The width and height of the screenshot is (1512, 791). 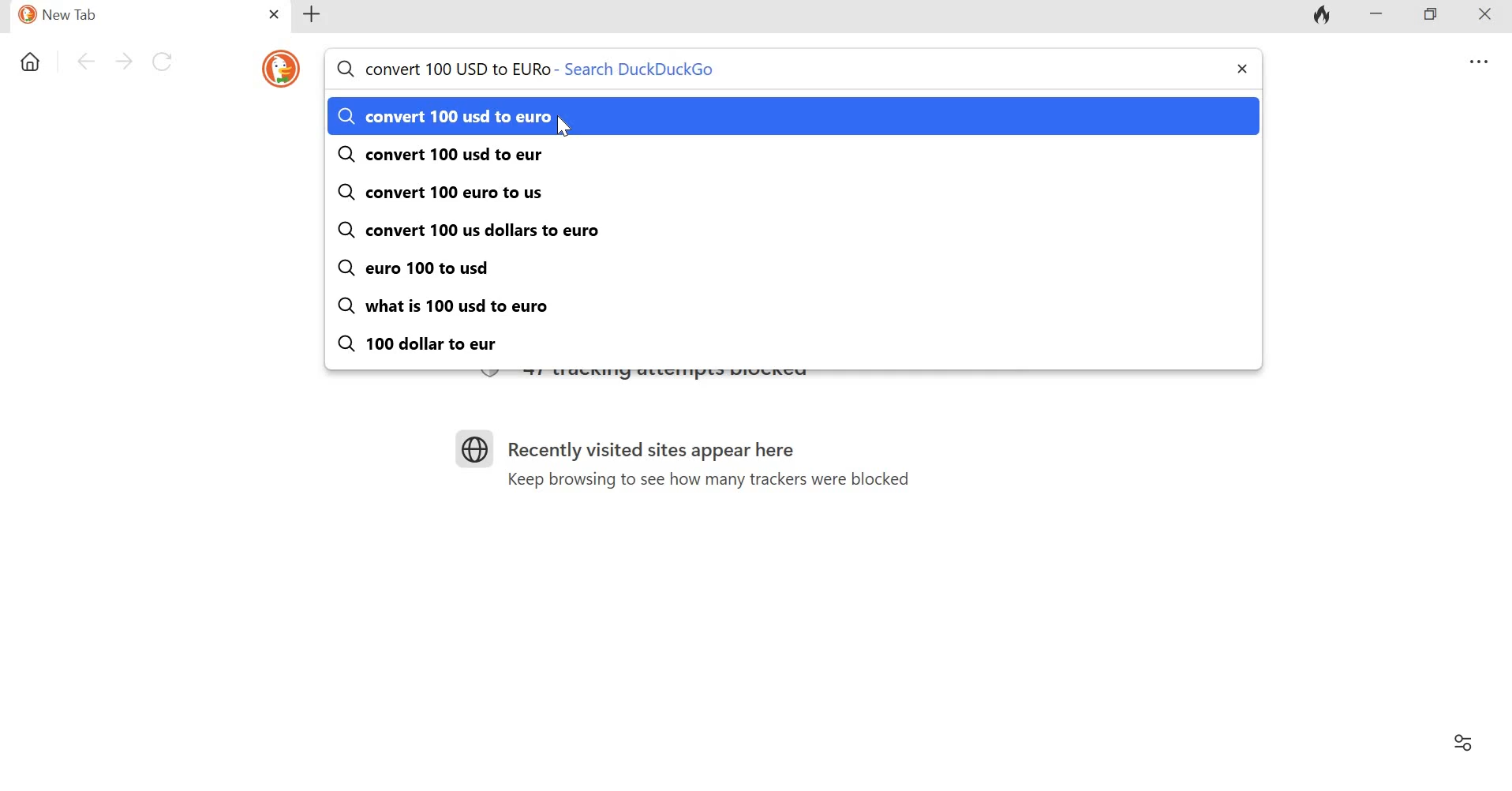 I want to click on Reload this page, so click(x=167, y=62).